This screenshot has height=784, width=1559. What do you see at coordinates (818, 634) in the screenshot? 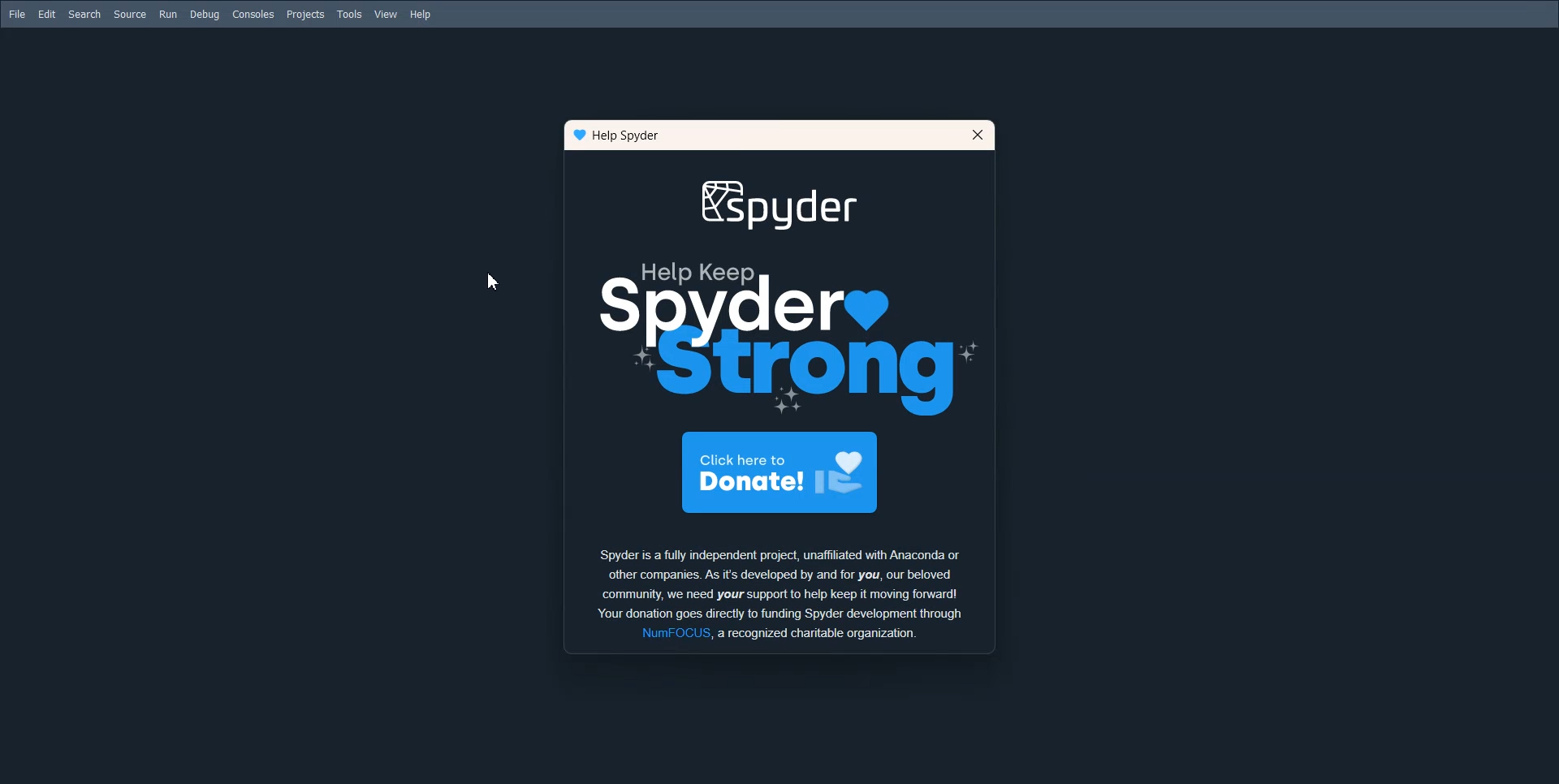
I see `a recognized charitable organization` at bounding box center [818, 634].